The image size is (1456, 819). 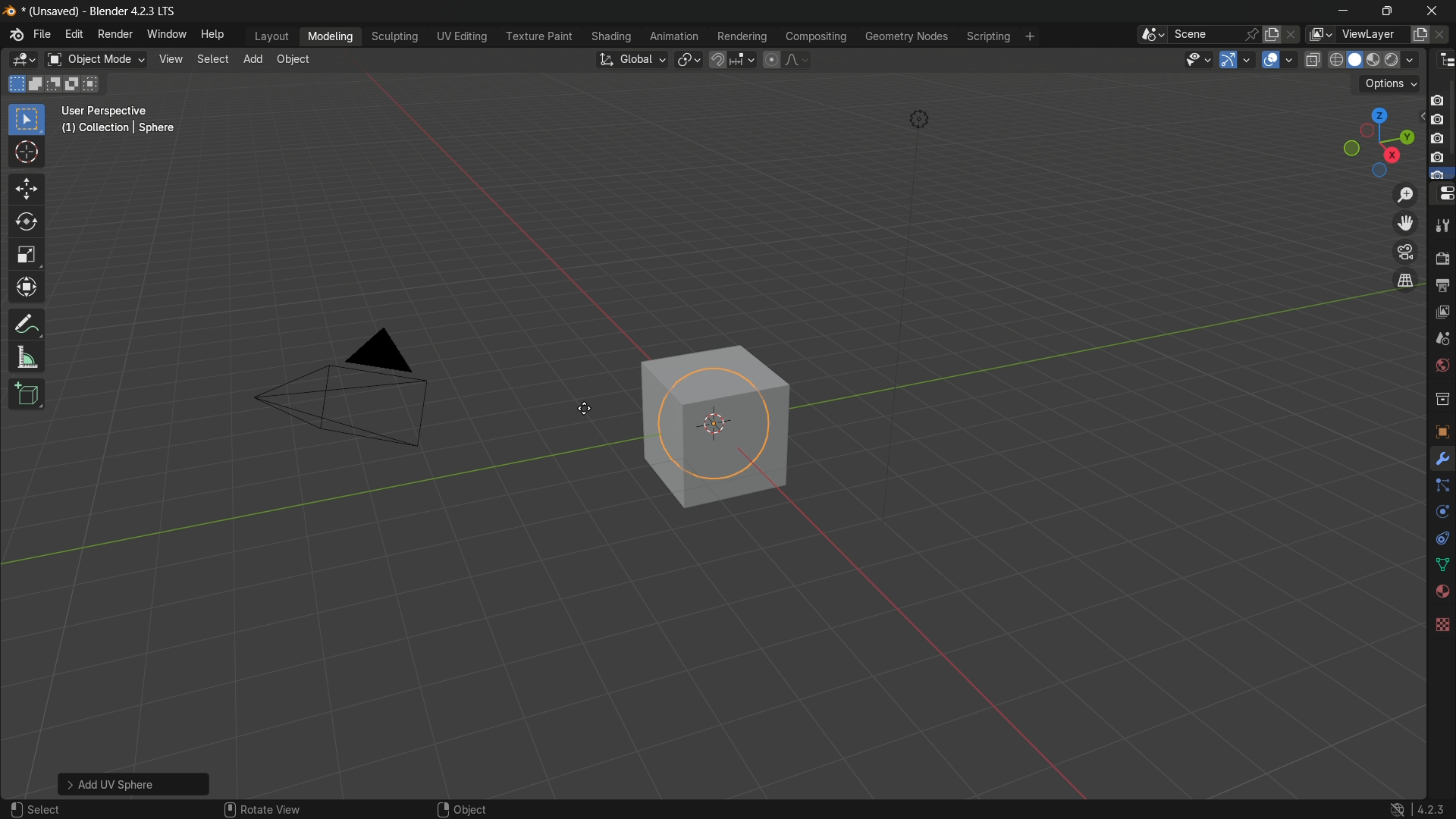 What do you see at coordinates (1442, 337) in the screenshot?
I see `scenes` at bounding box center [1442, 337].